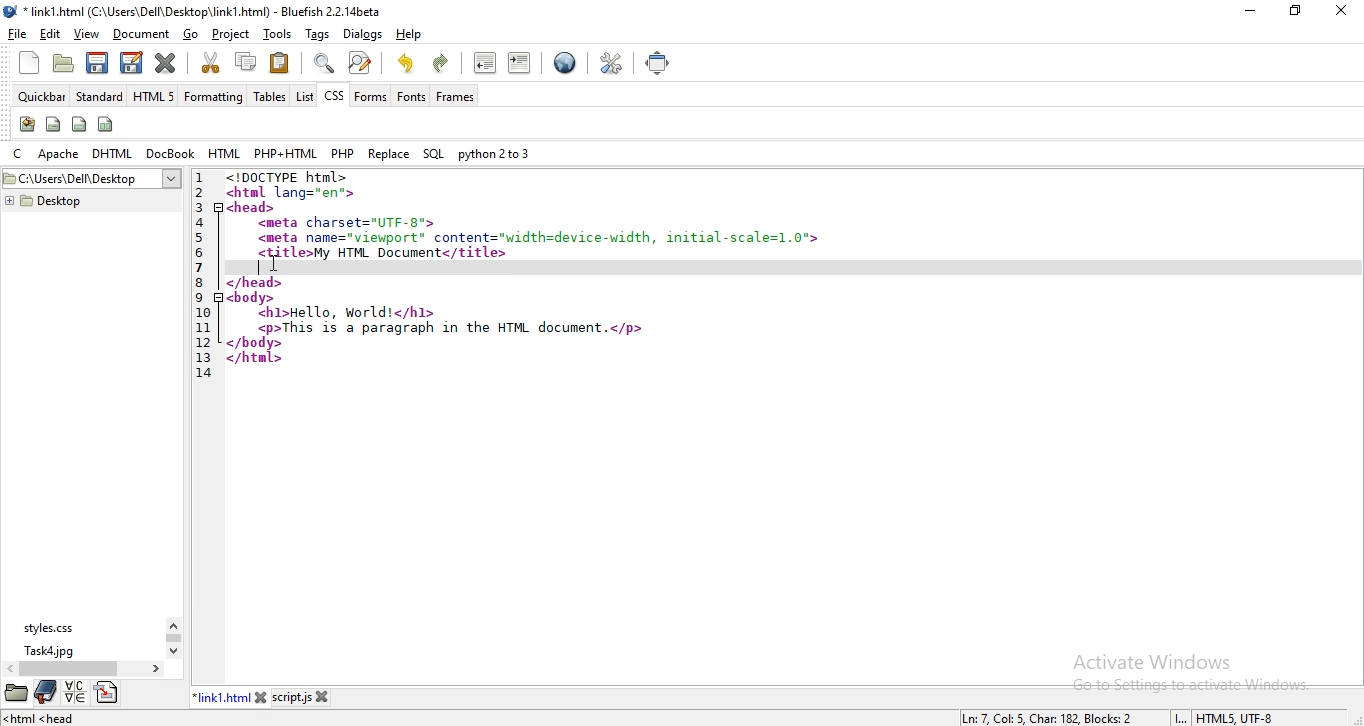  Describe the element at coordinates (49, 33) in the screenshot. I see `edit` at that location.